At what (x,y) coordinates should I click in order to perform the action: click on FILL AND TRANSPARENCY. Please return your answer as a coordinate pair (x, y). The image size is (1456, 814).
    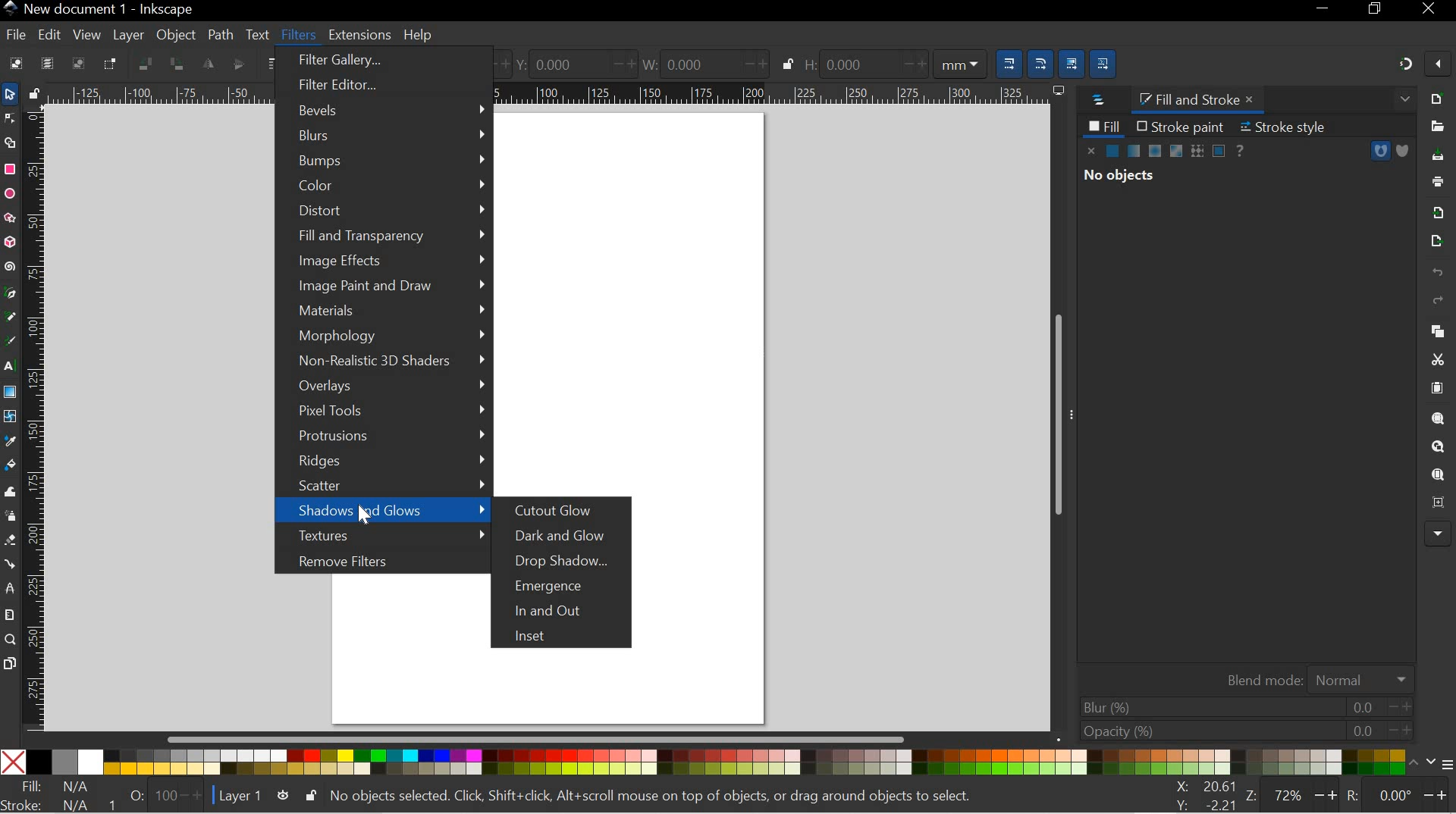
    Looking at the image, I should click on (386, 236).